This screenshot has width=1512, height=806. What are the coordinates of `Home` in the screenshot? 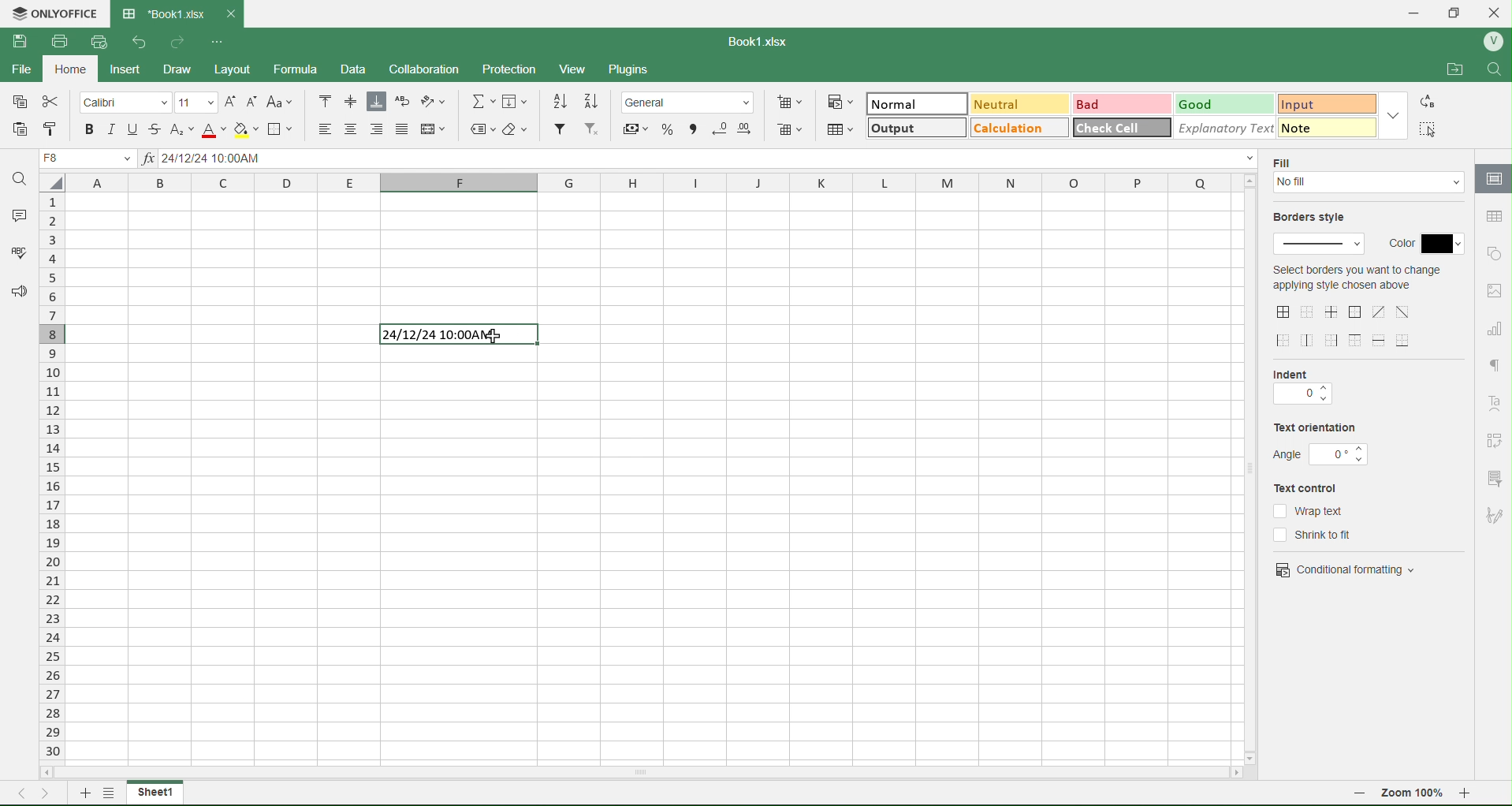 It's located at (76, 72).